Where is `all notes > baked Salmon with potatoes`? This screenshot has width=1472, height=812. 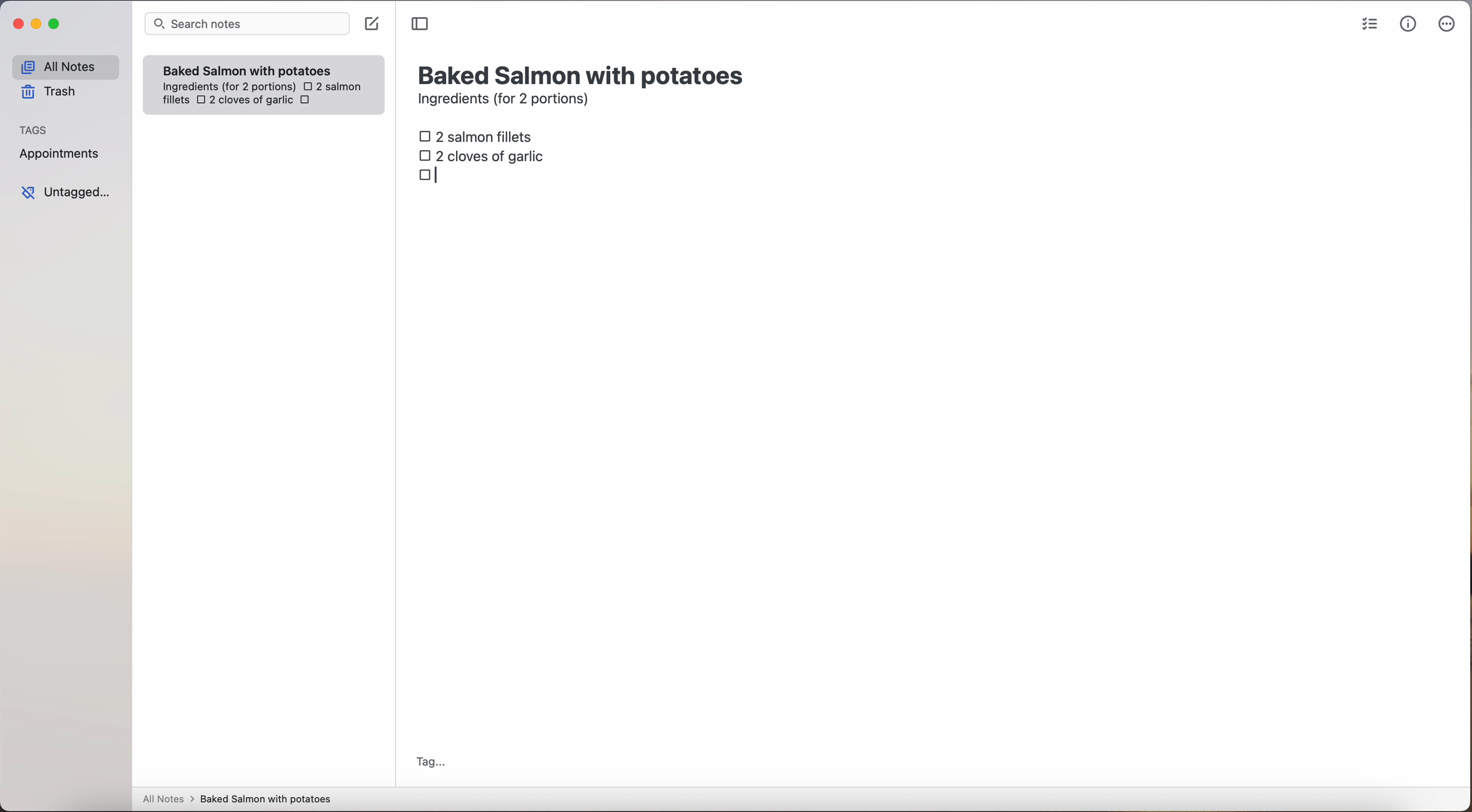 all notes > baked Salmon with potatoes is located at coordinates (237, 798).